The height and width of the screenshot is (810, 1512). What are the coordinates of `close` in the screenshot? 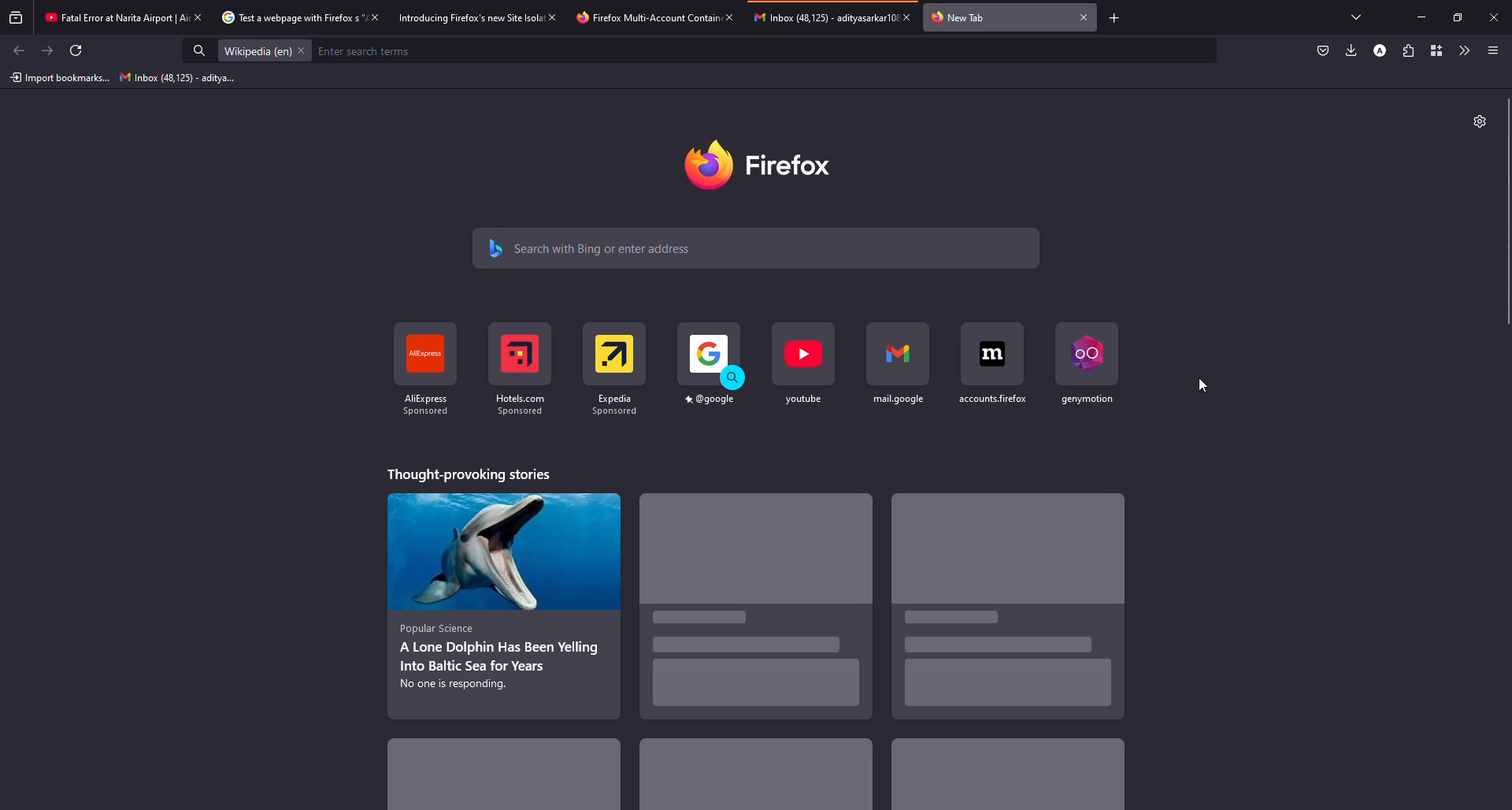 It's located at (1493, 18).